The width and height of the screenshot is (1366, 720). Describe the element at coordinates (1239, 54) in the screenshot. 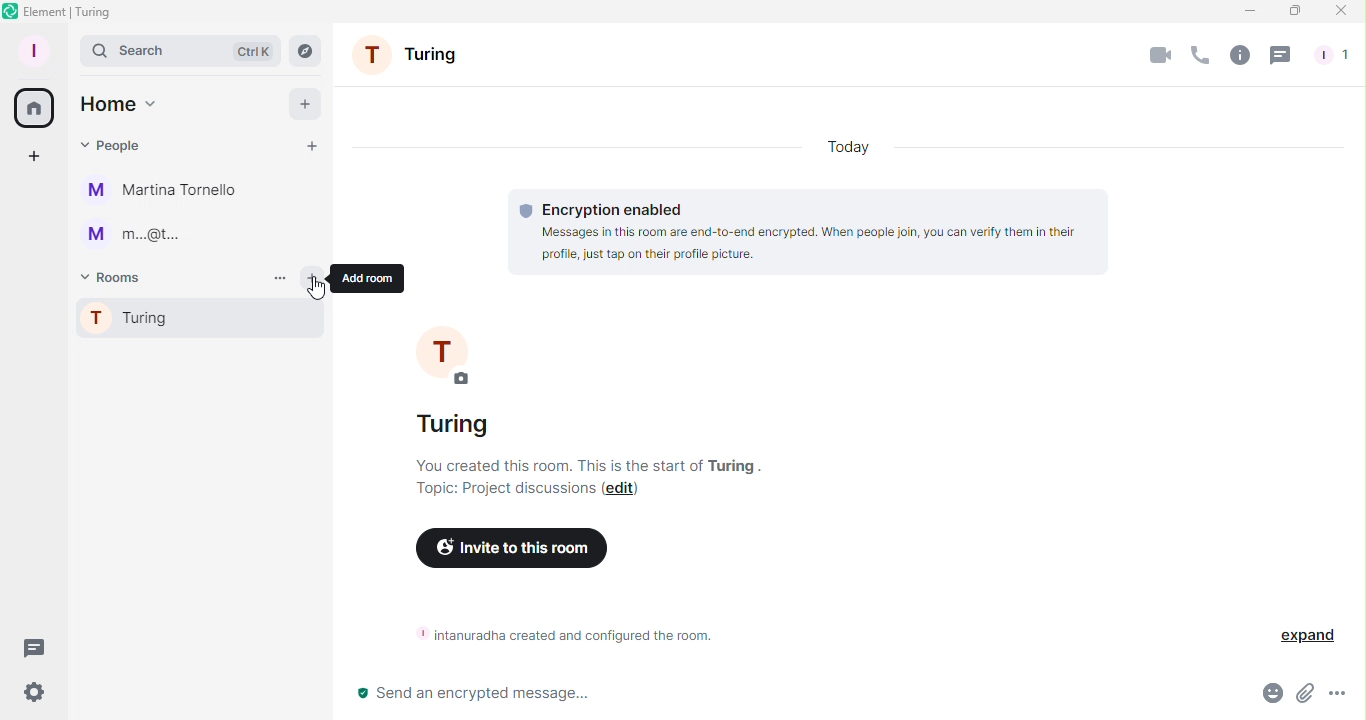

I see `Room info` at that location.